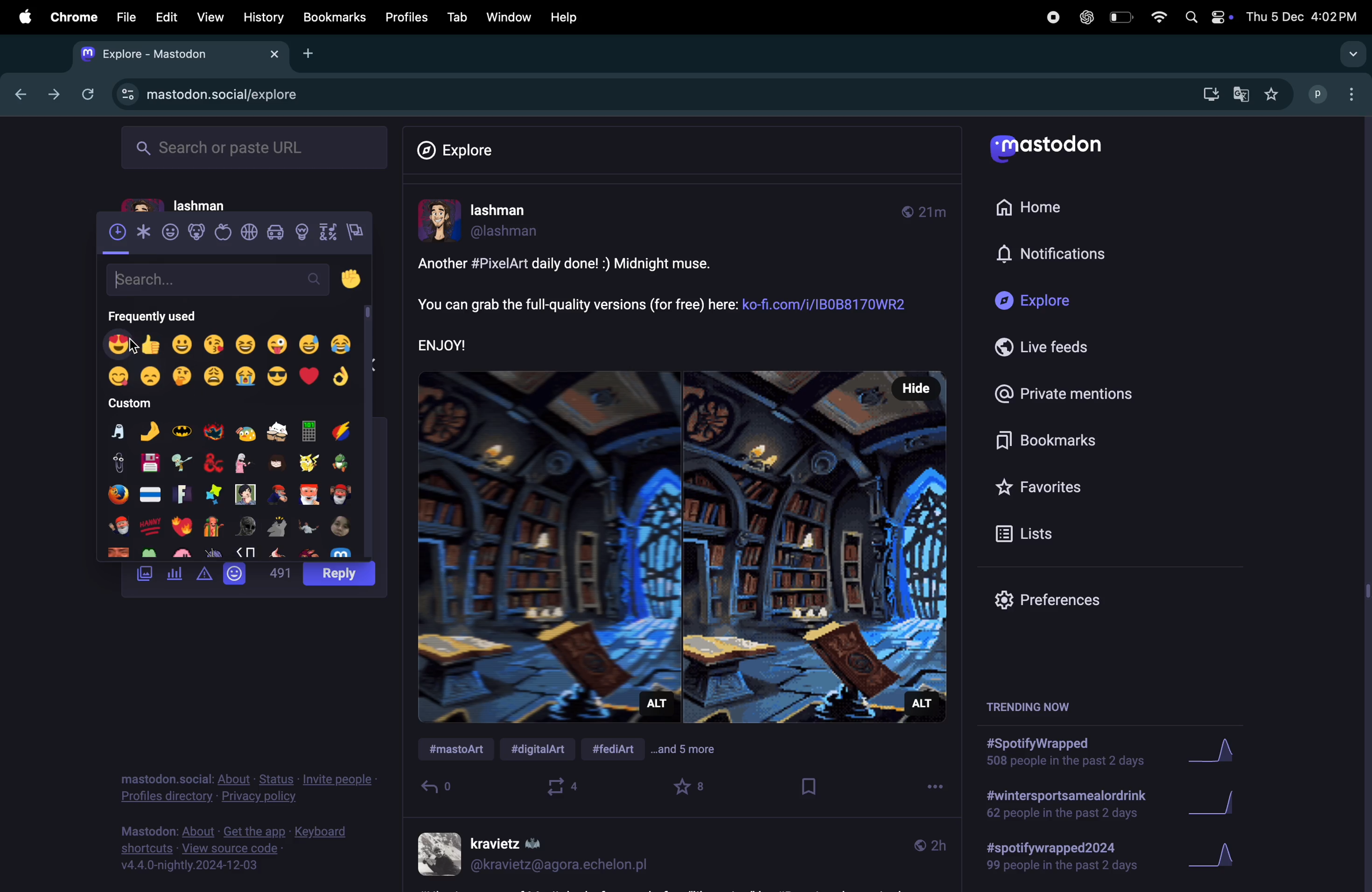  I want to click on add tab, so click(311, 55).